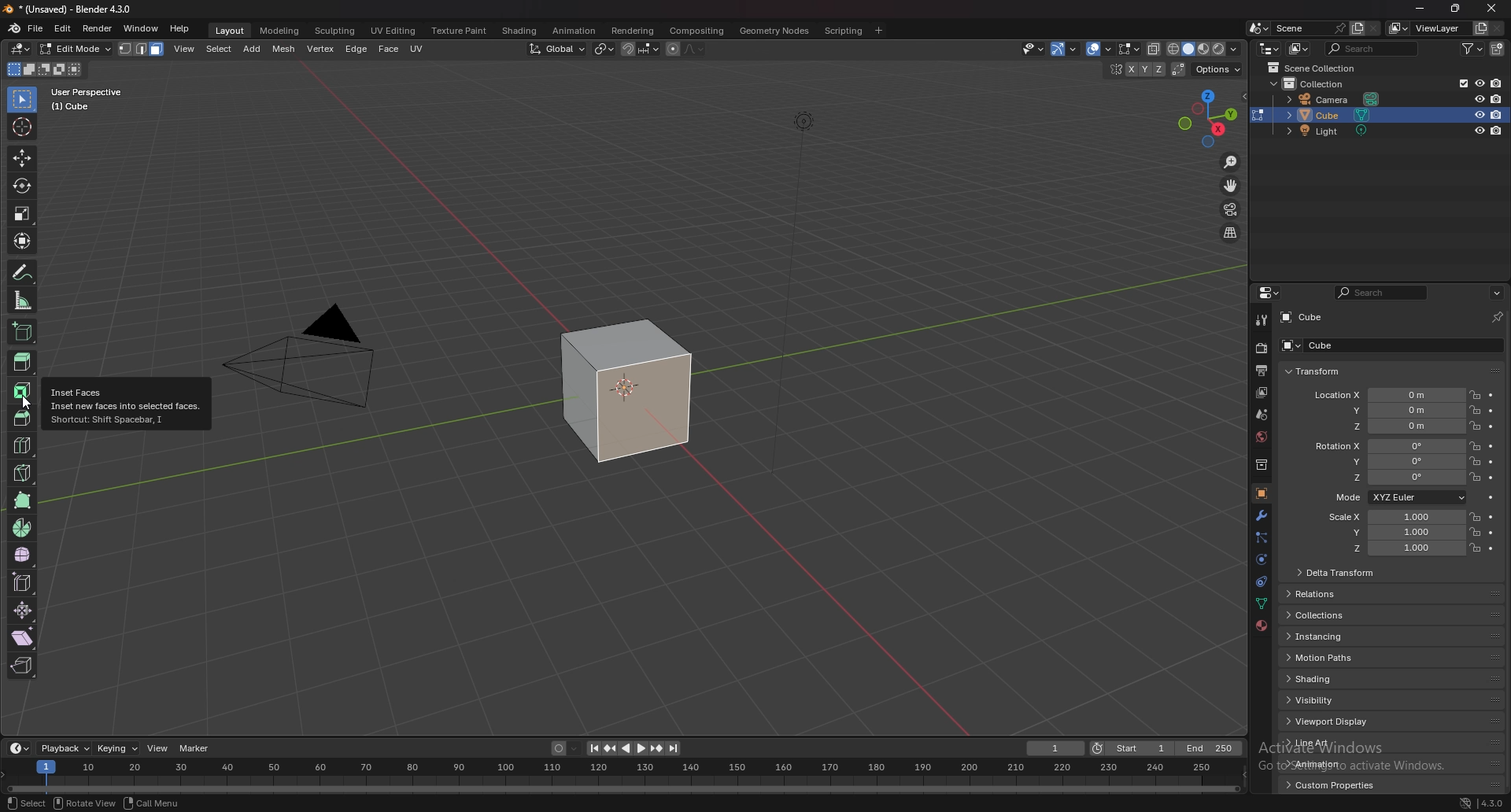 Image resolution: width=1511 pixels, height=812 pixels. What do you see at coordinates (1474, 516) in the screenshot?
I see `lock` at bounding box center [1474, 516].